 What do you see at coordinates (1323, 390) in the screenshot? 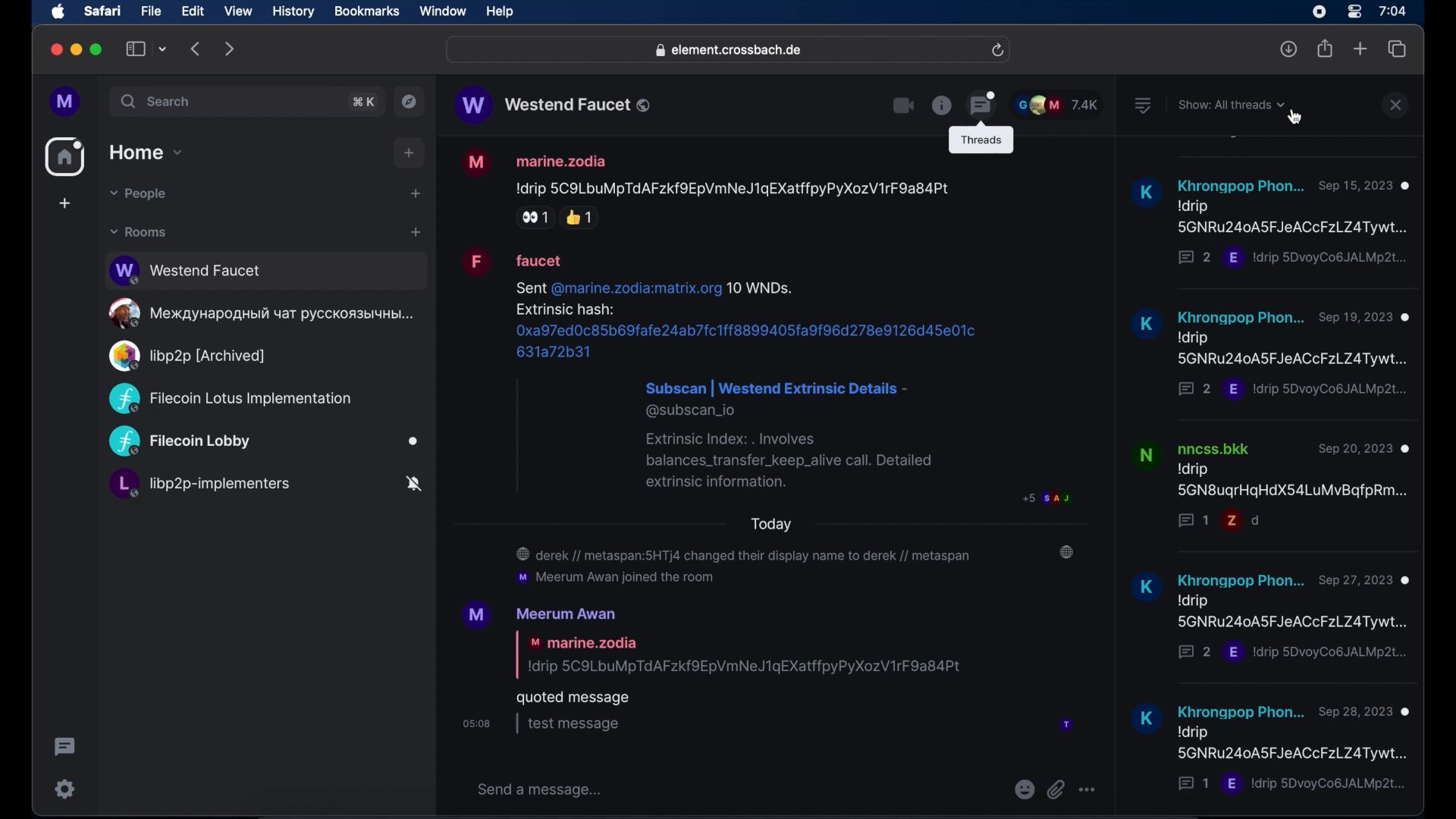
I see `'E !drip 5DvoyCo6JALMp2t... |` at bounding box center [1323, 390].